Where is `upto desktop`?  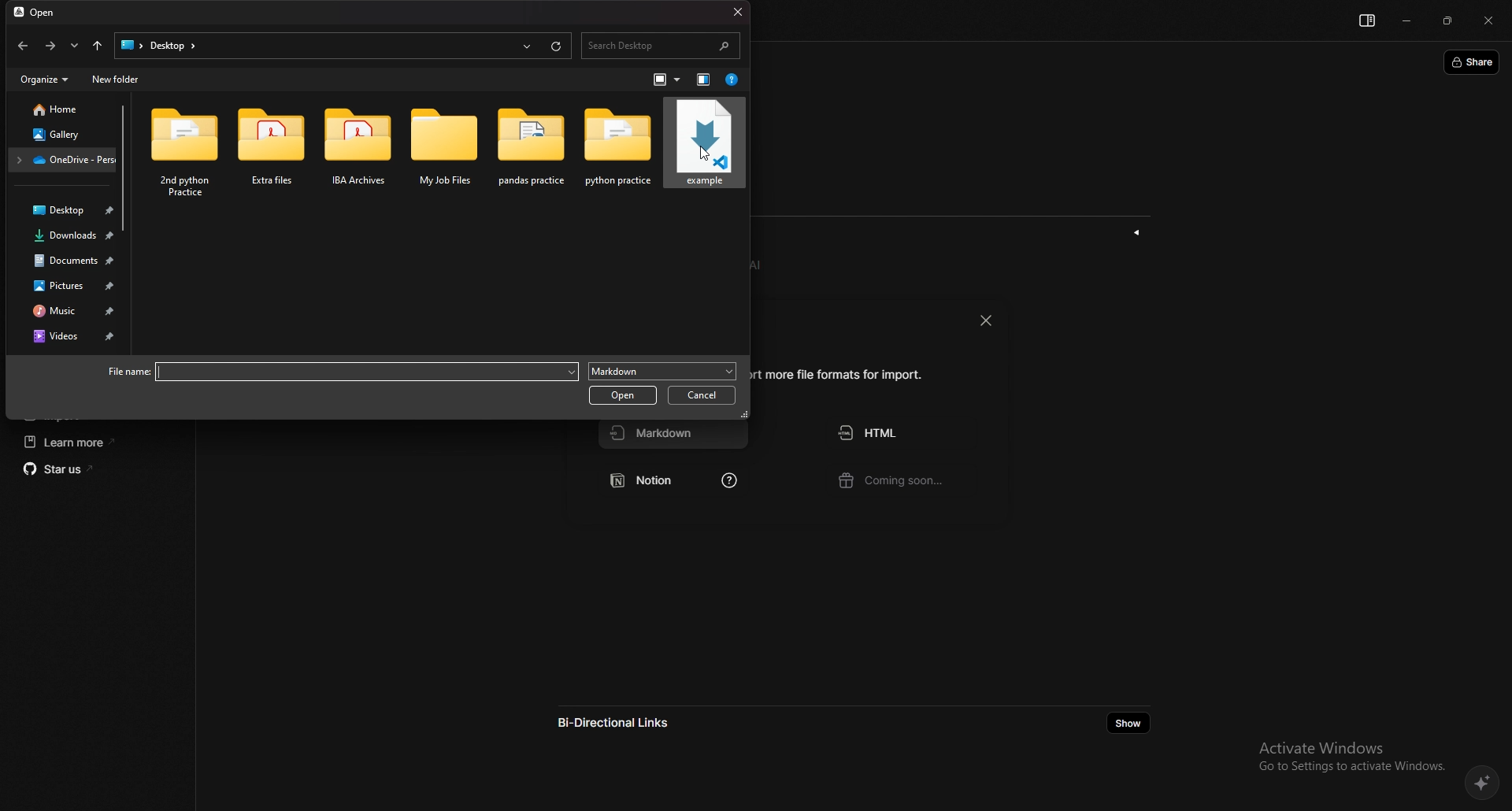 upto desktop is located at coordinates (97, 46).